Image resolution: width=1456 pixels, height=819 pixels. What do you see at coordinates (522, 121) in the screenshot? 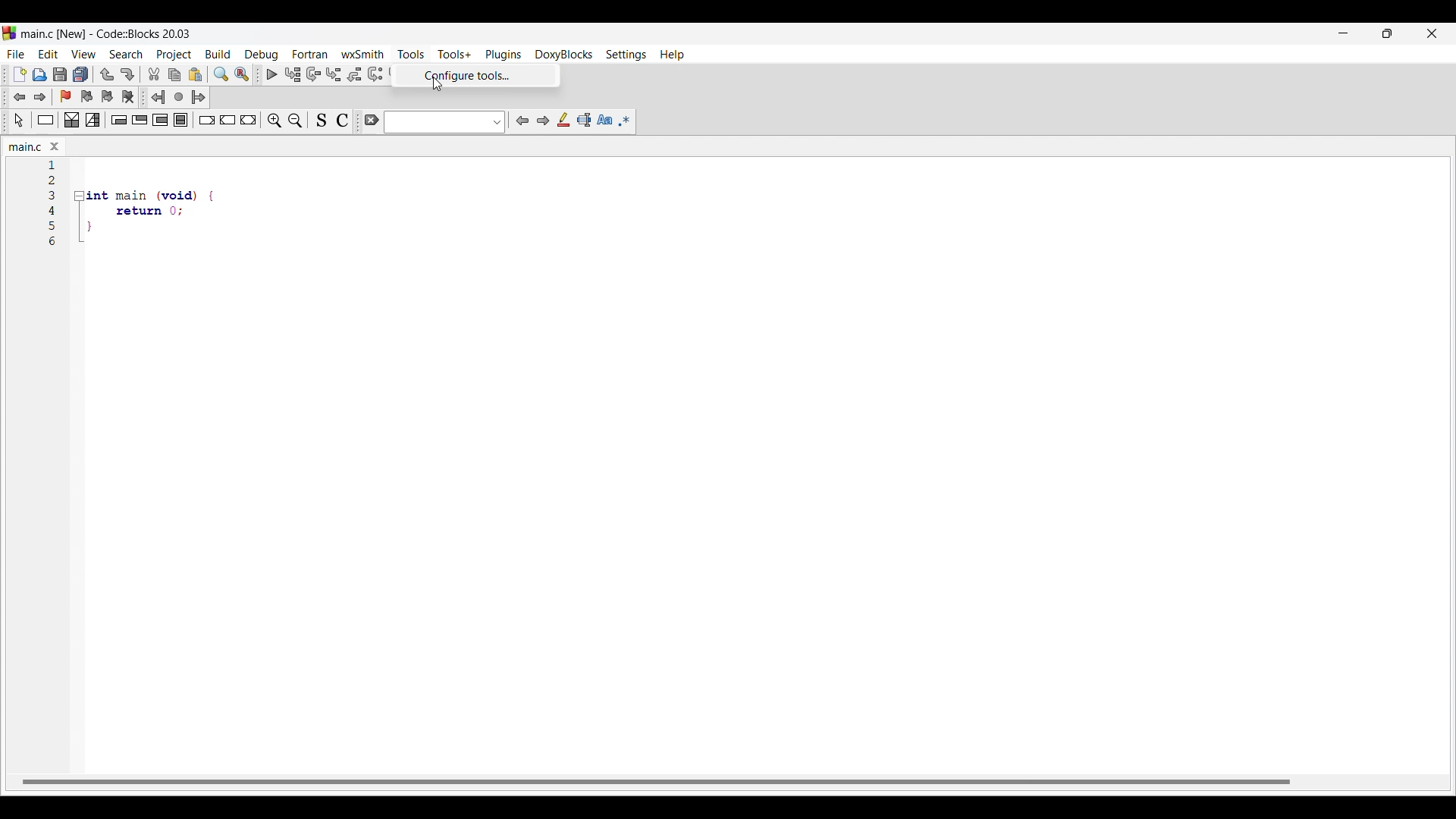
I see `Previous` at bounding box center [522, 121].